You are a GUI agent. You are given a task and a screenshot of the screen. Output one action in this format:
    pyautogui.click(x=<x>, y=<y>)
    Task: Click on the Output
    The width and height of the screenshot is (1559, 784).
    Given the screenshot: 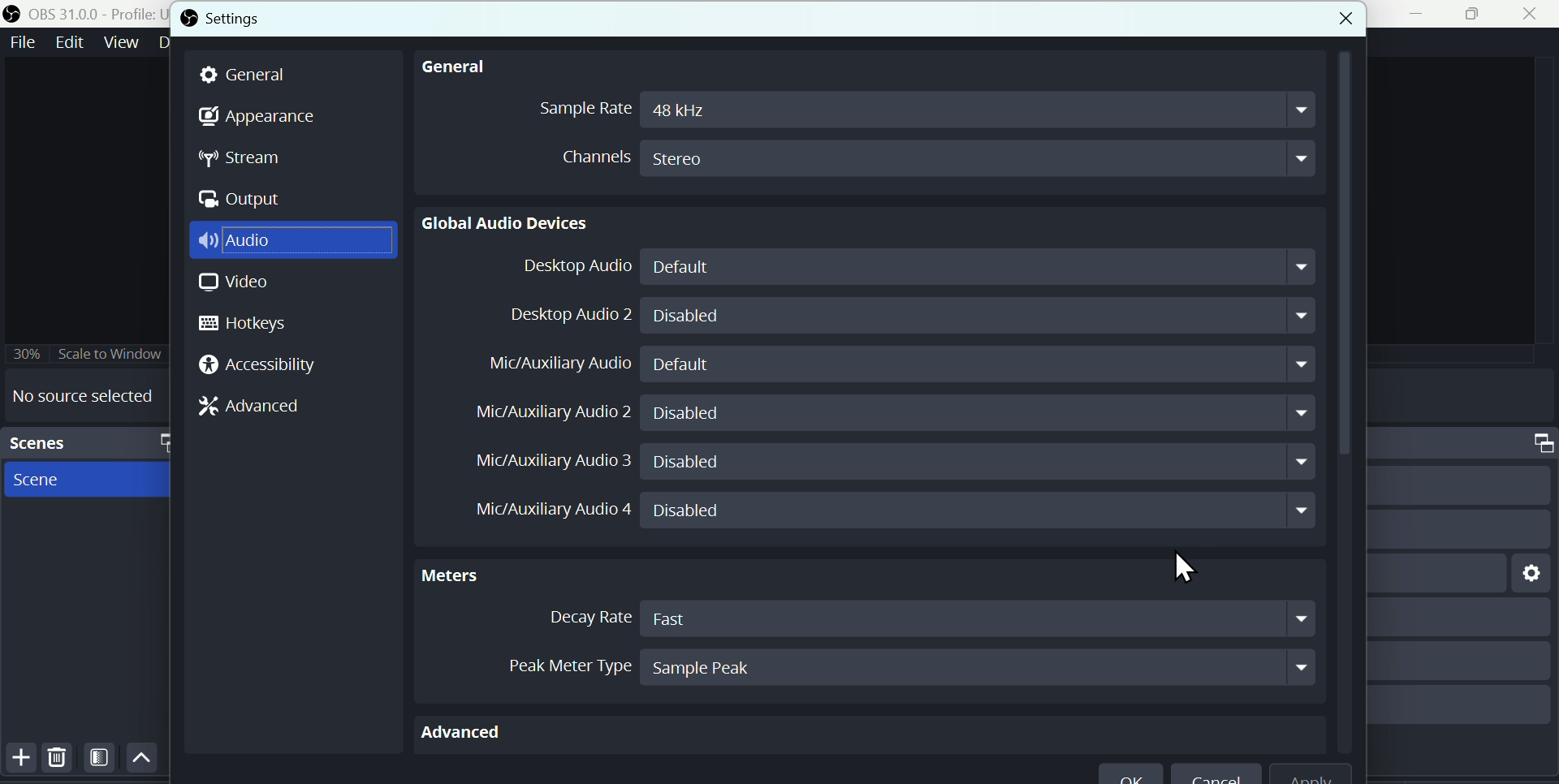 What is the action you would take?
    pyautogui.click(x=243, y=200)
    